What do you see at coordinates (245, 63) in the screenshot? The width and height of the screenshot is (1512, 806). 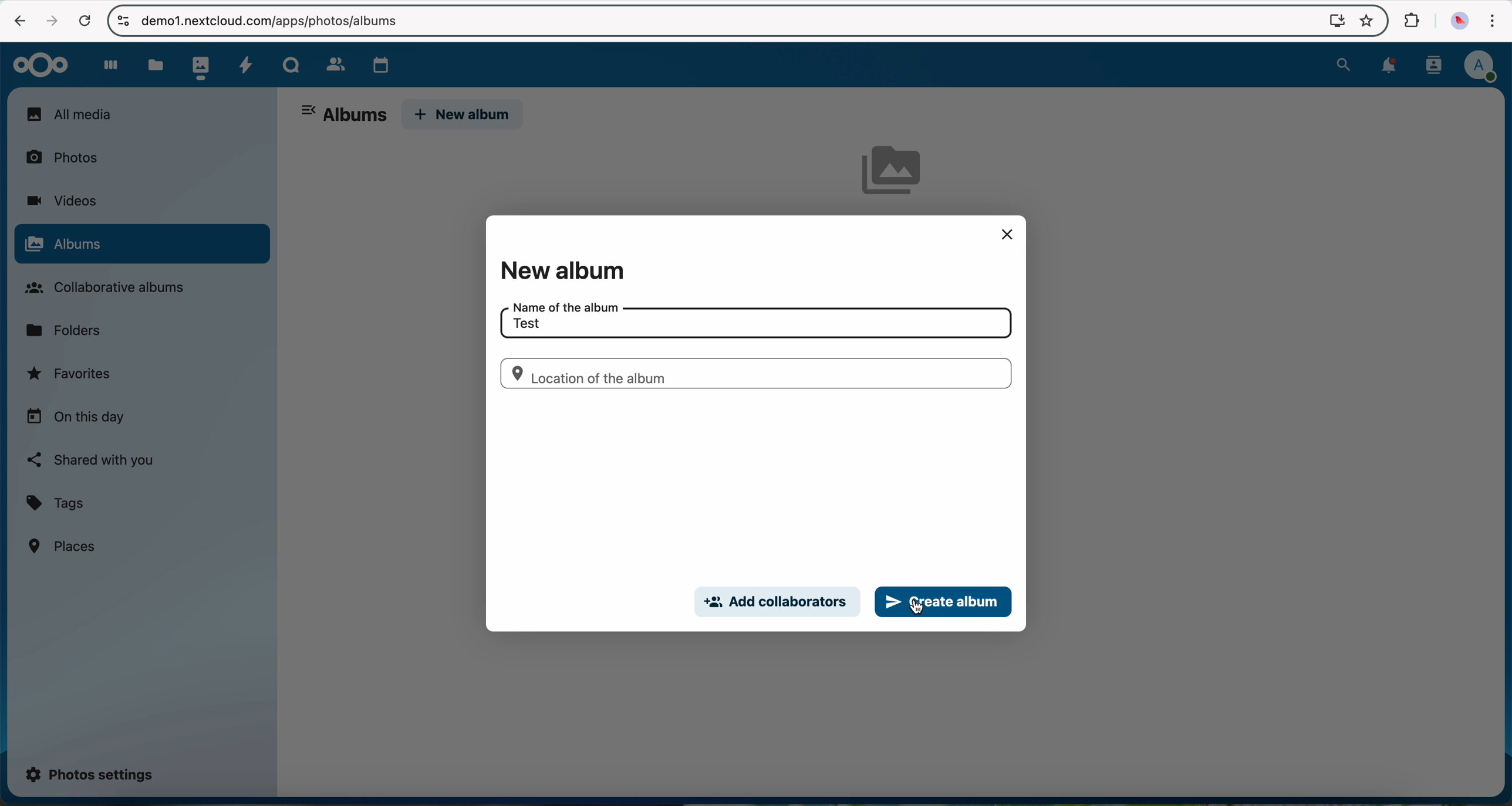 I see `activity` at bounding box center [245, 63].